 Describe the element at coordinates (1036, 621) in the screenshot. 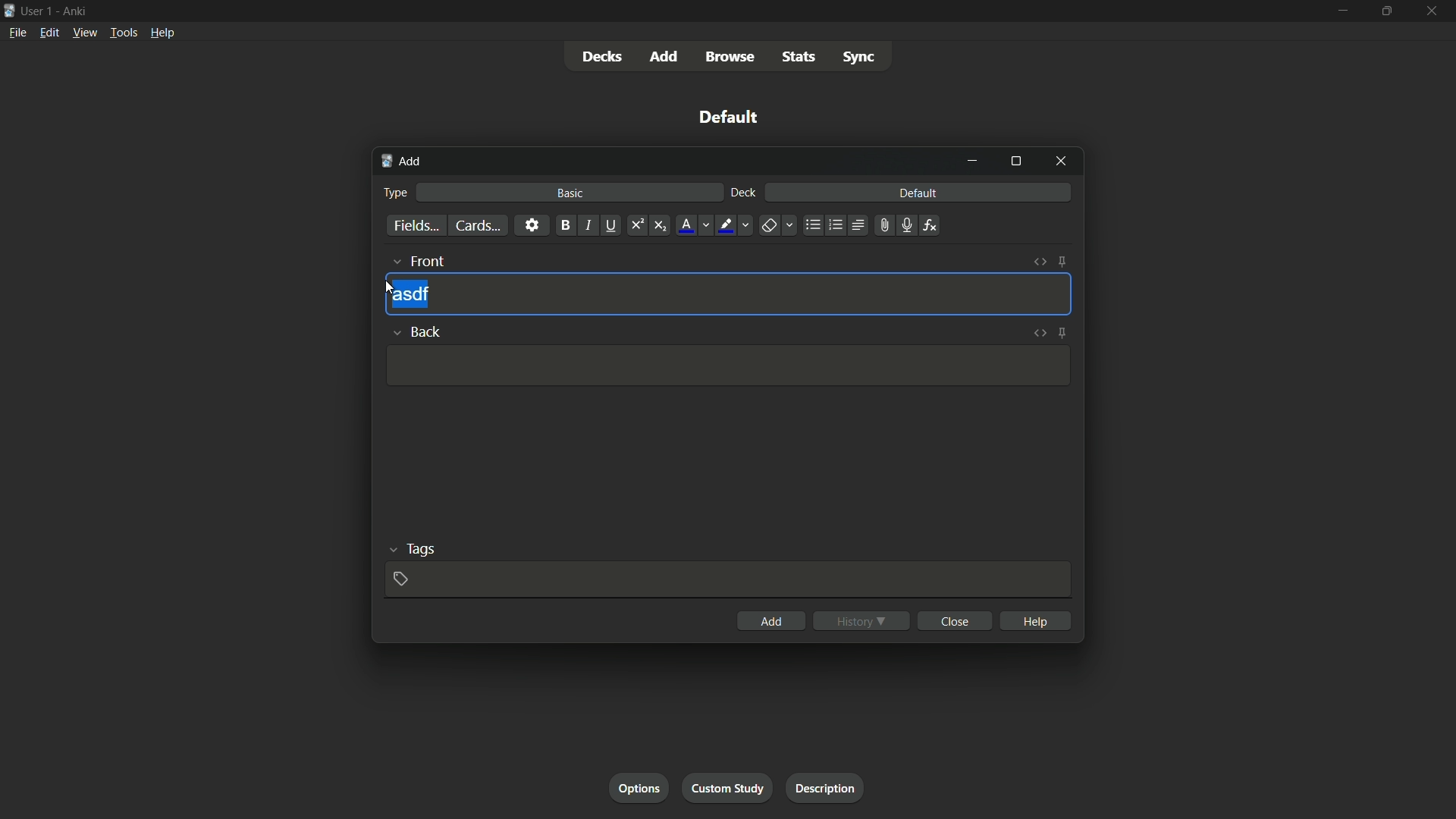

I see `help` at that location.